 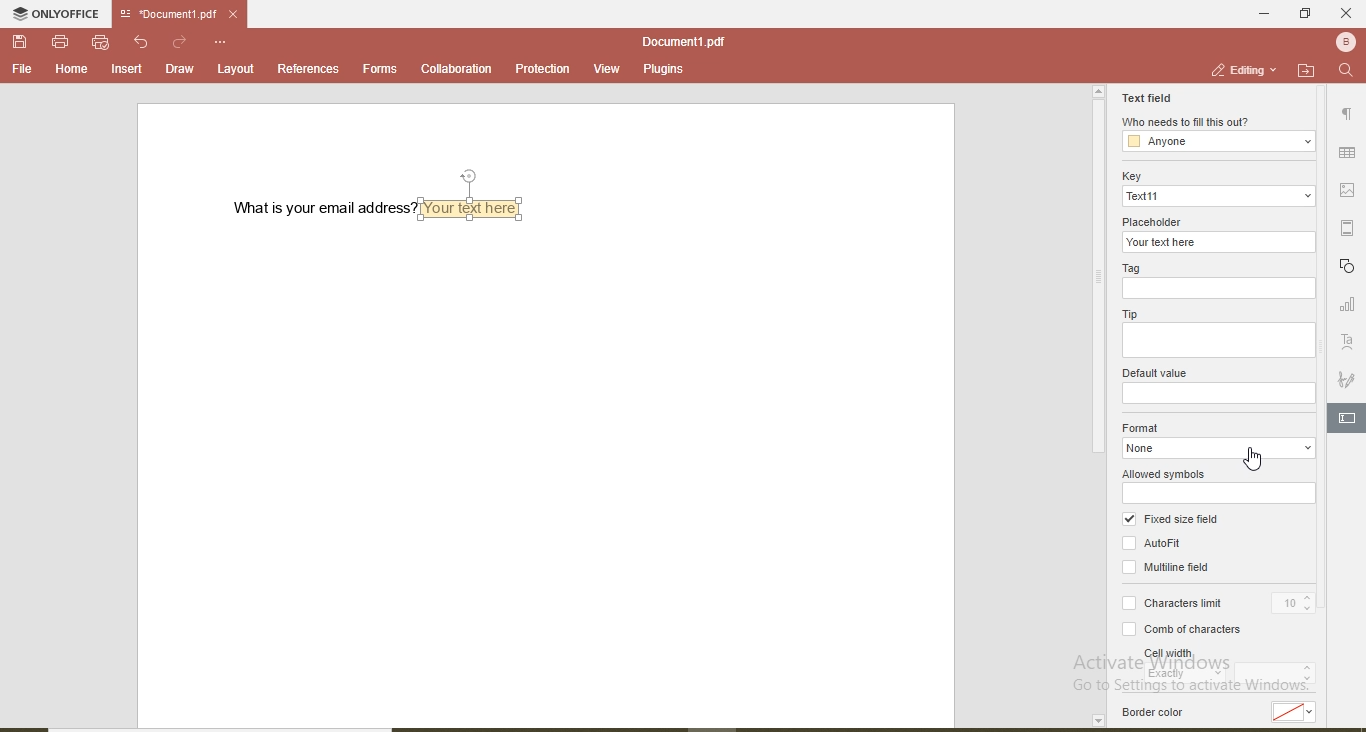 I want to click on textbox, so click(x=476, y=207).